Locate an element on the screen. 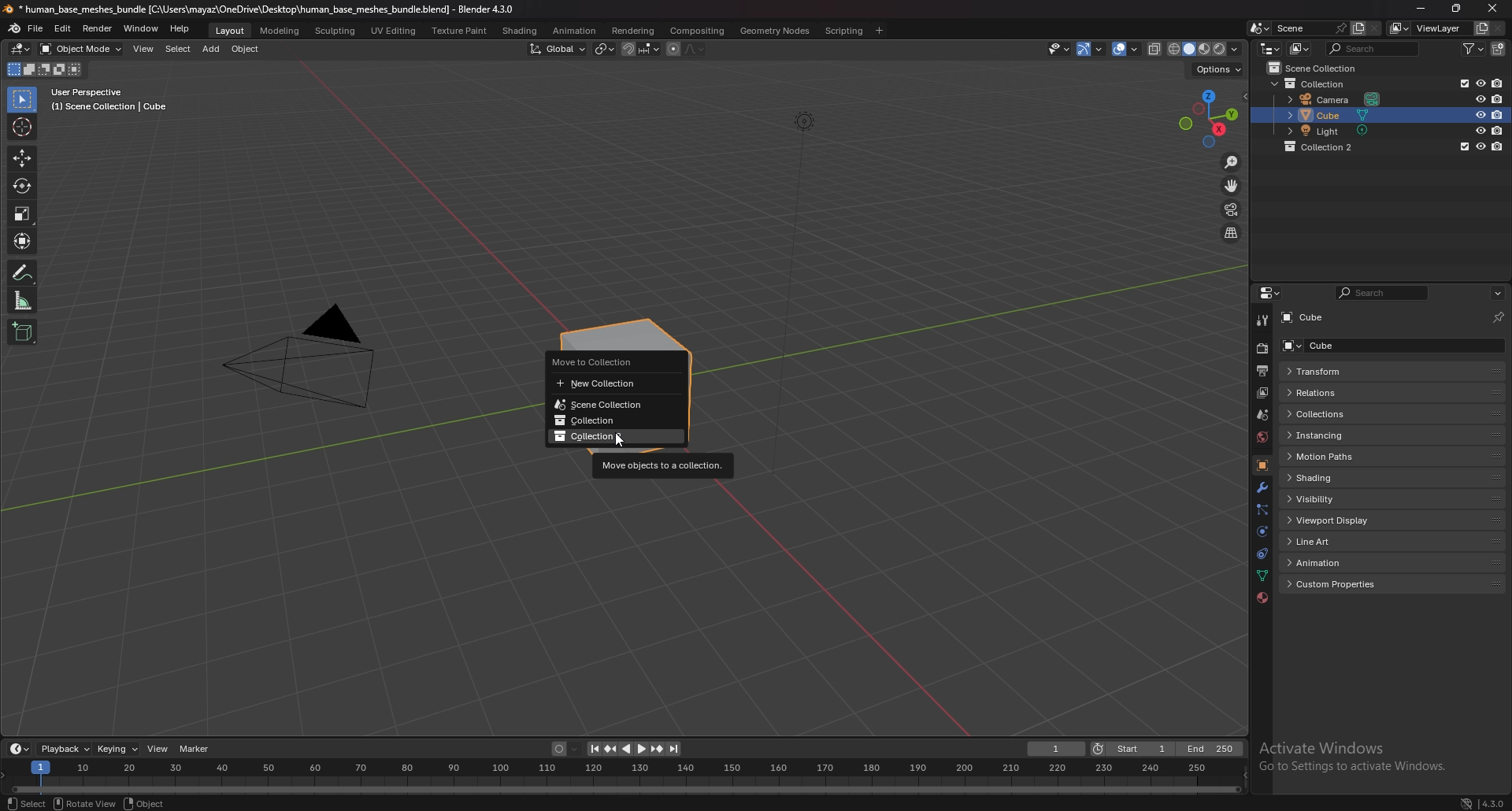 The image size is (1512, 811). toggle xray is located at coordinates (1155, 49).